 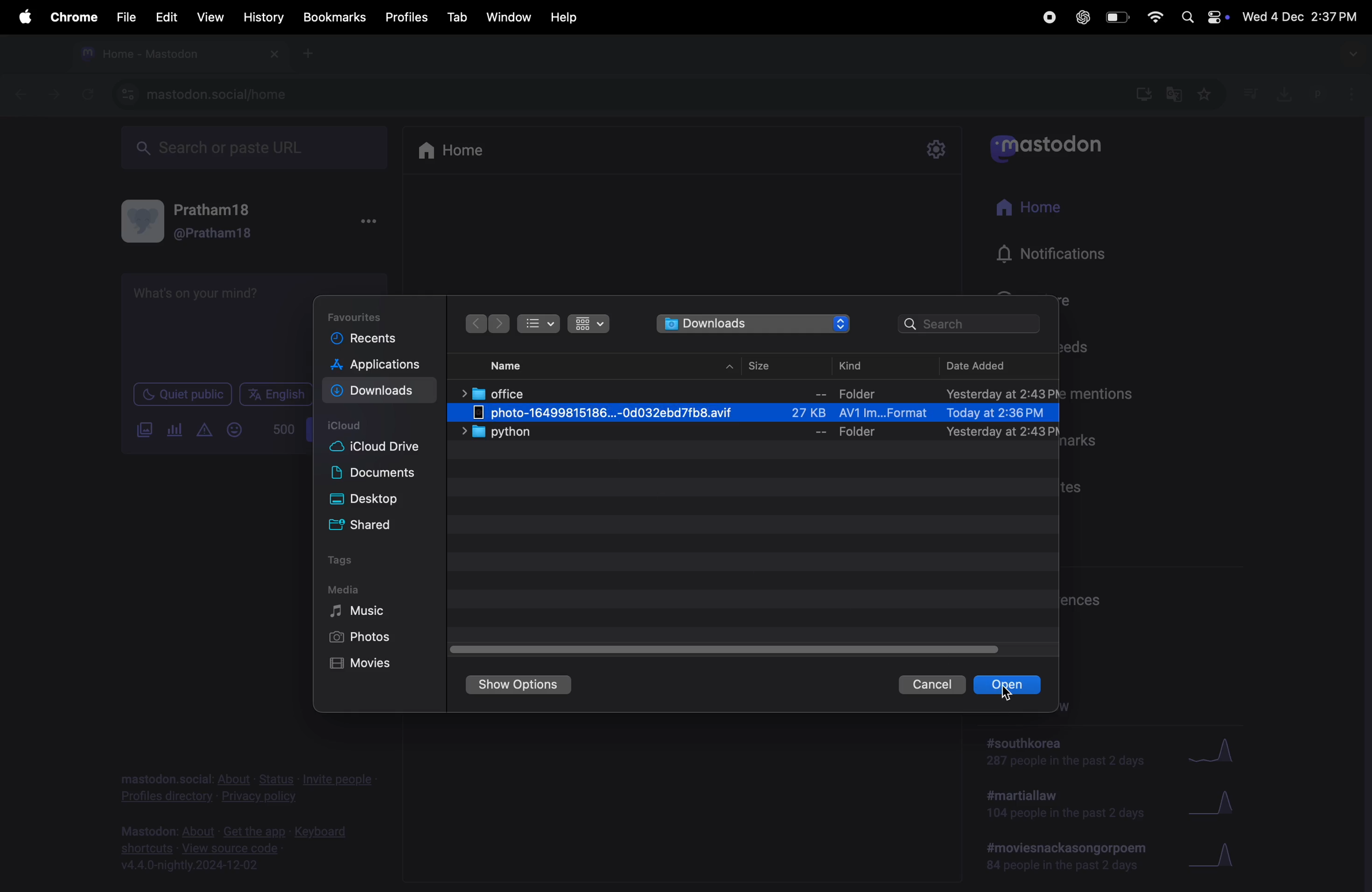 What do you see at coordinates (163, 16) in the screenshot?
I see `Edit` at bounding box center [163, 16].